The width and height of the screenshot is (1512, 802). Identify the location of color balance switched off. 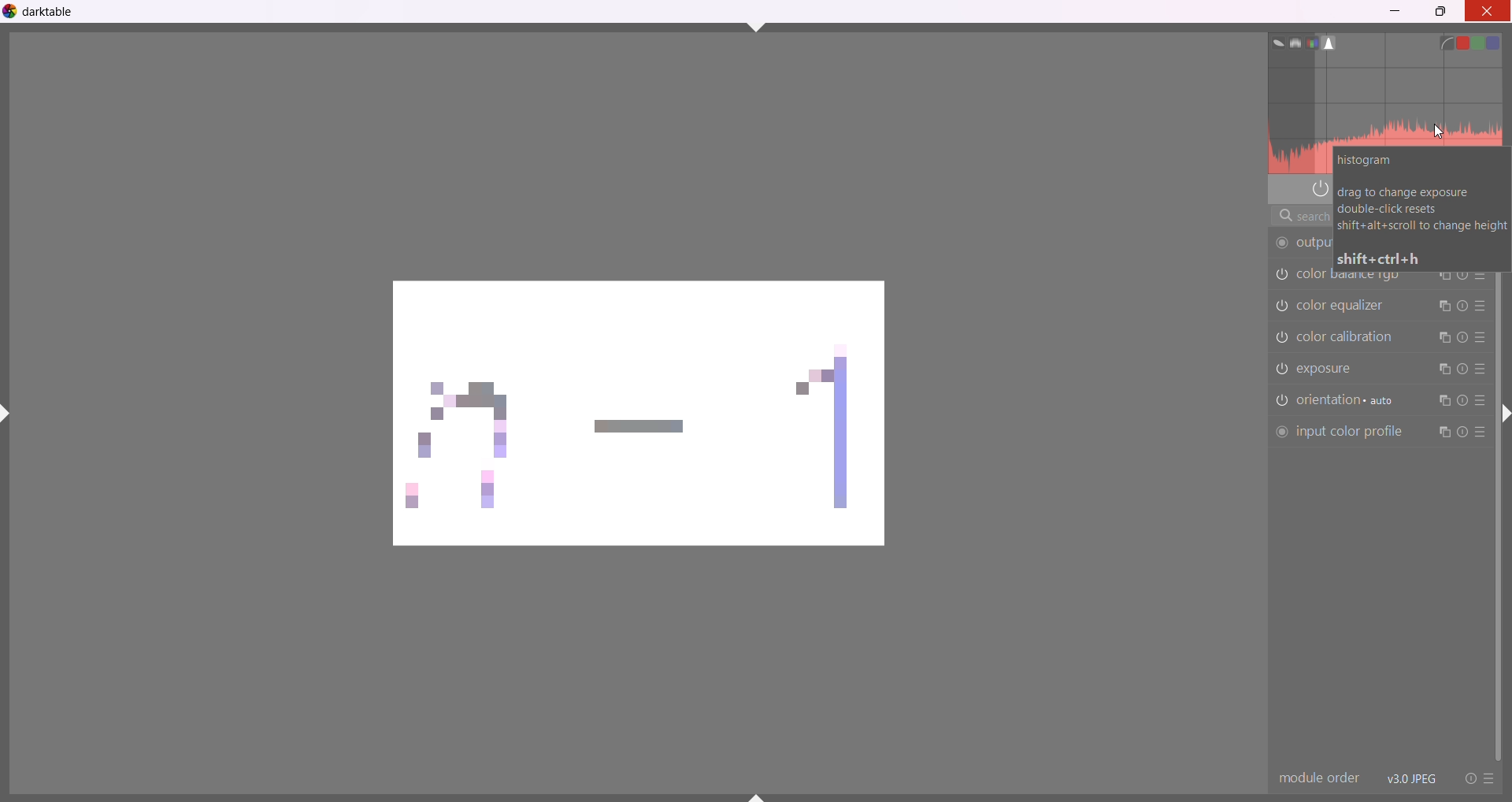
(1280, 338).